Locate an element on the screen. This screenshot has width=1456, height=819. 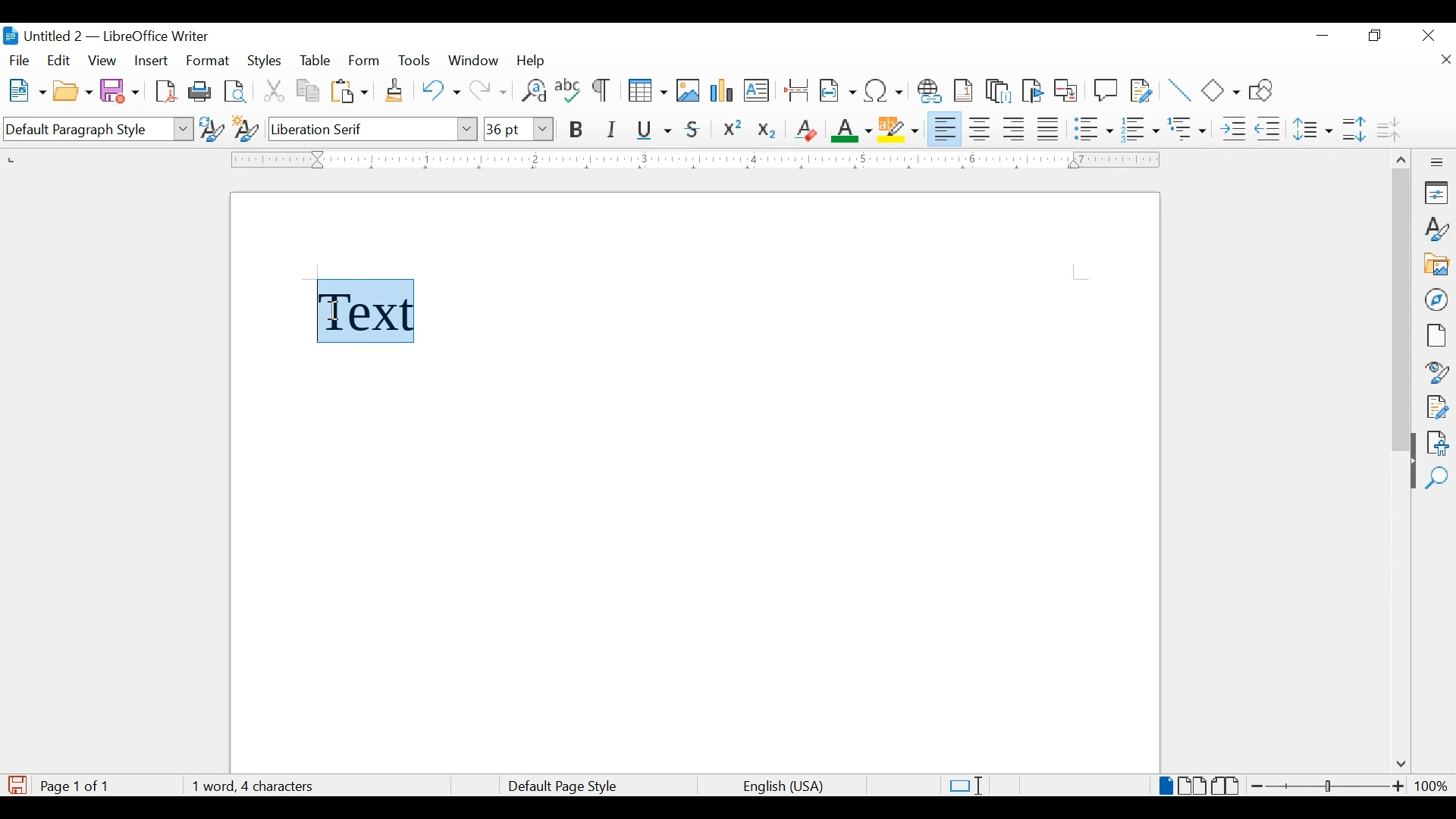
insert chart is located at coordinates (723, 92).